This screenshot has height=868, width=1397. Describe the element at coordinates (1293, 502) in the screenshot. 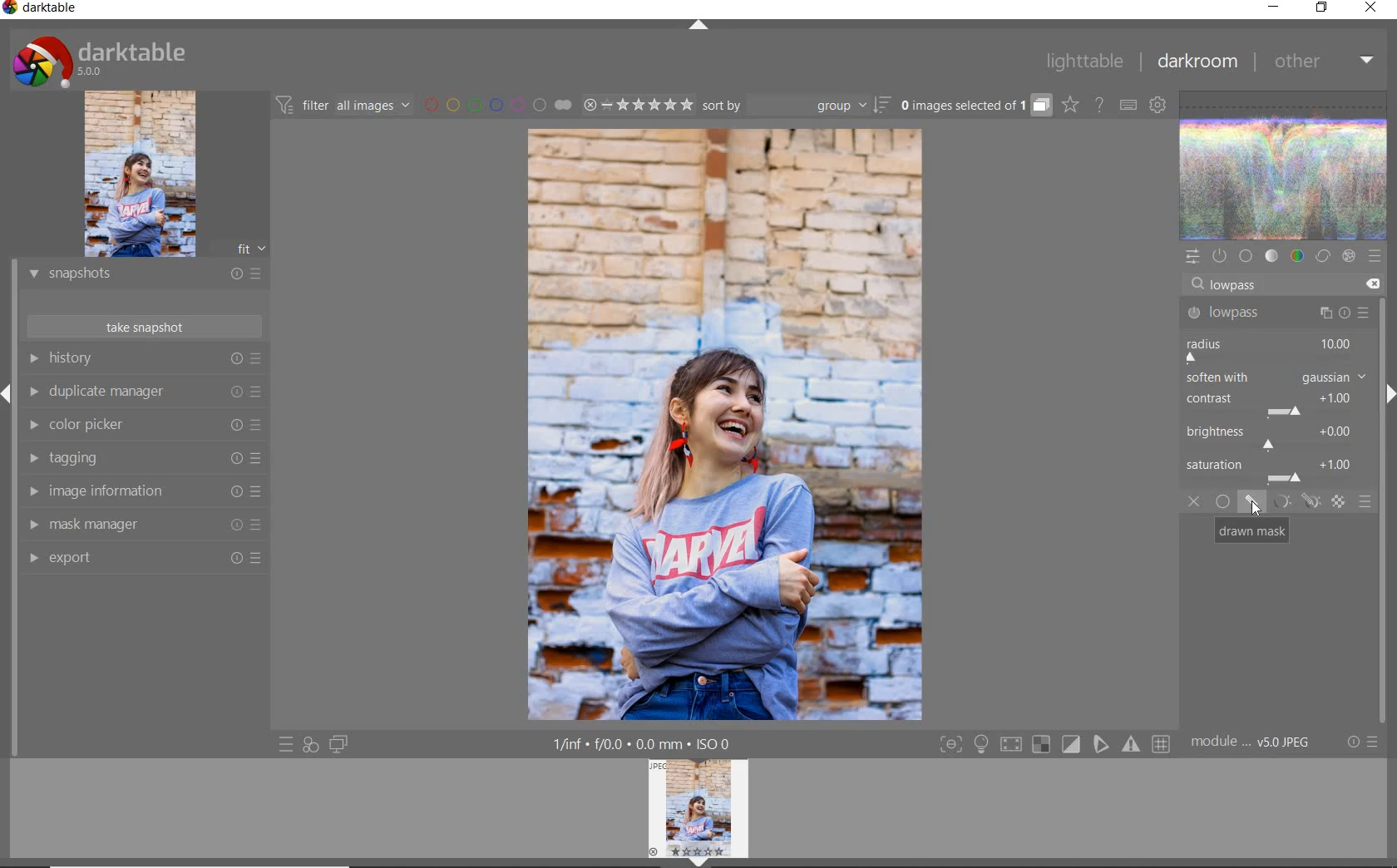

I see `mask options` at that location.